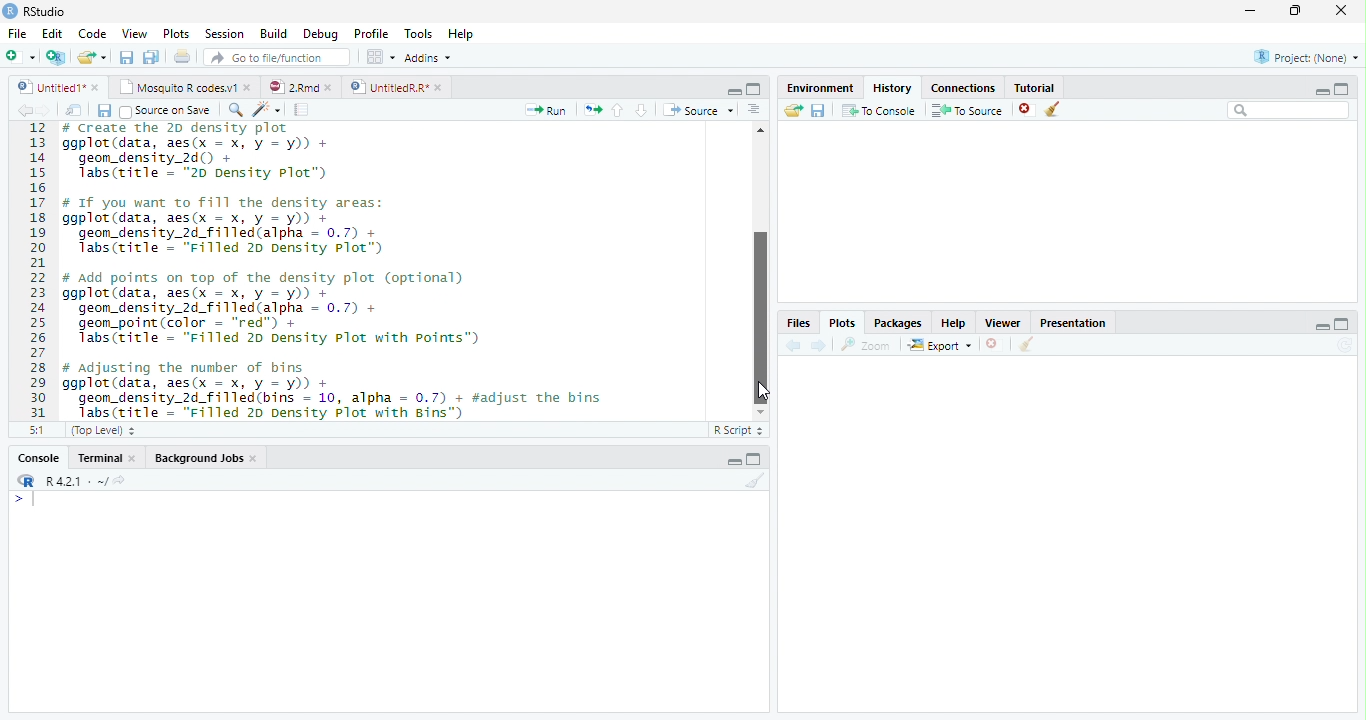 This screenshot has width=1366, height=720. I want to click on close, so click(250, 88).